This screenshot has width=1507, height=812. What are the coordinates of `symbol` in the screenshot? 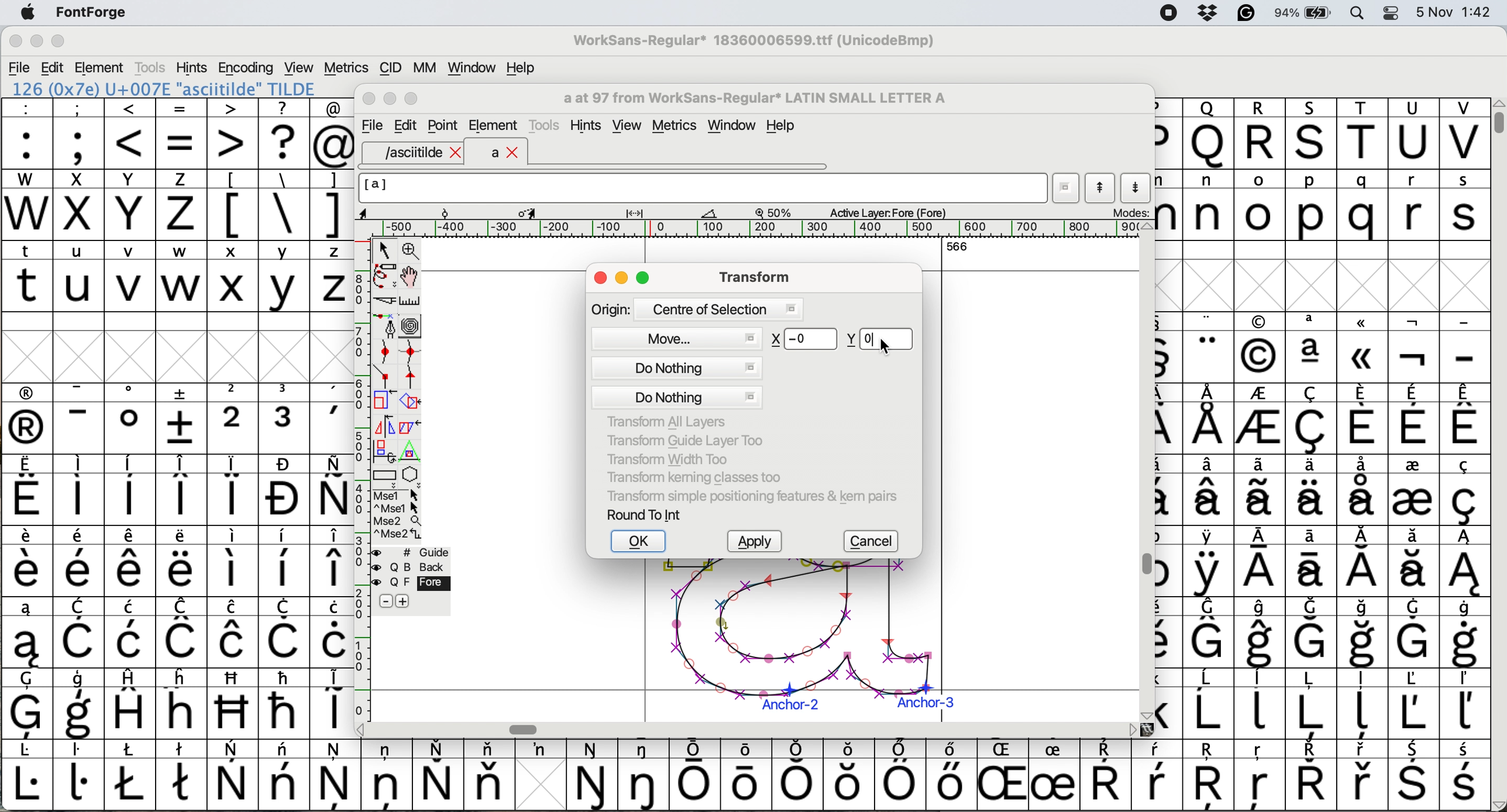 It's located at (1466, 418).